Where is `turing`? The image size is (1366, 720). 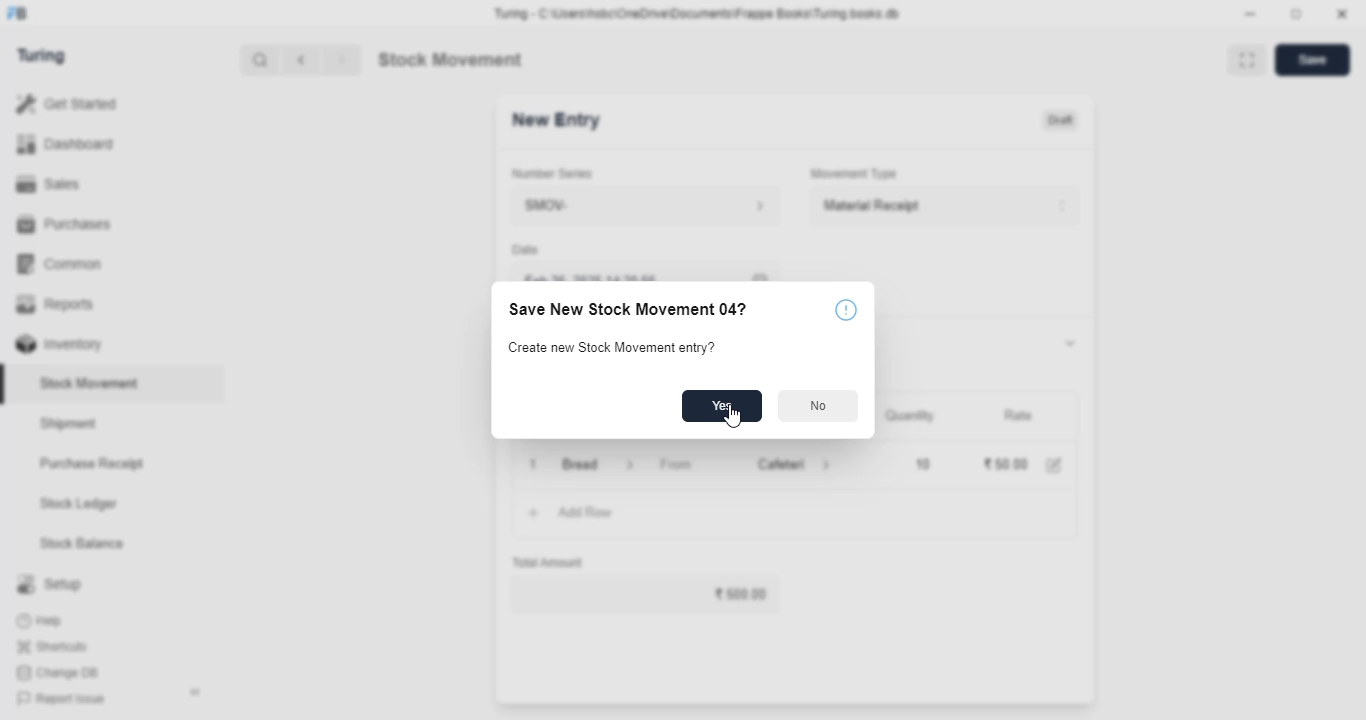
turing is located at coordinates (42, 56).